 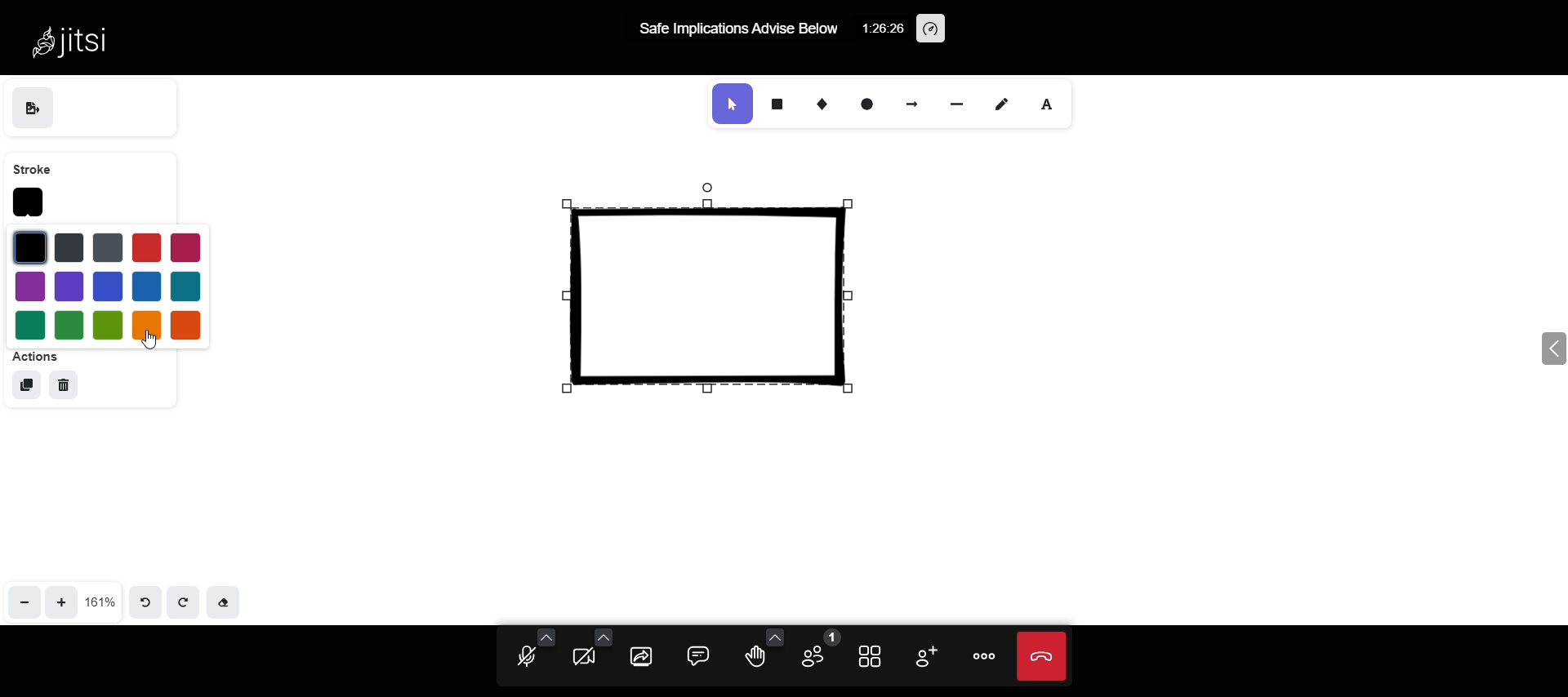 What do you see at coordinates (185, 601) in the screenshot?
I see `redo` at bounding box center [185, 601].